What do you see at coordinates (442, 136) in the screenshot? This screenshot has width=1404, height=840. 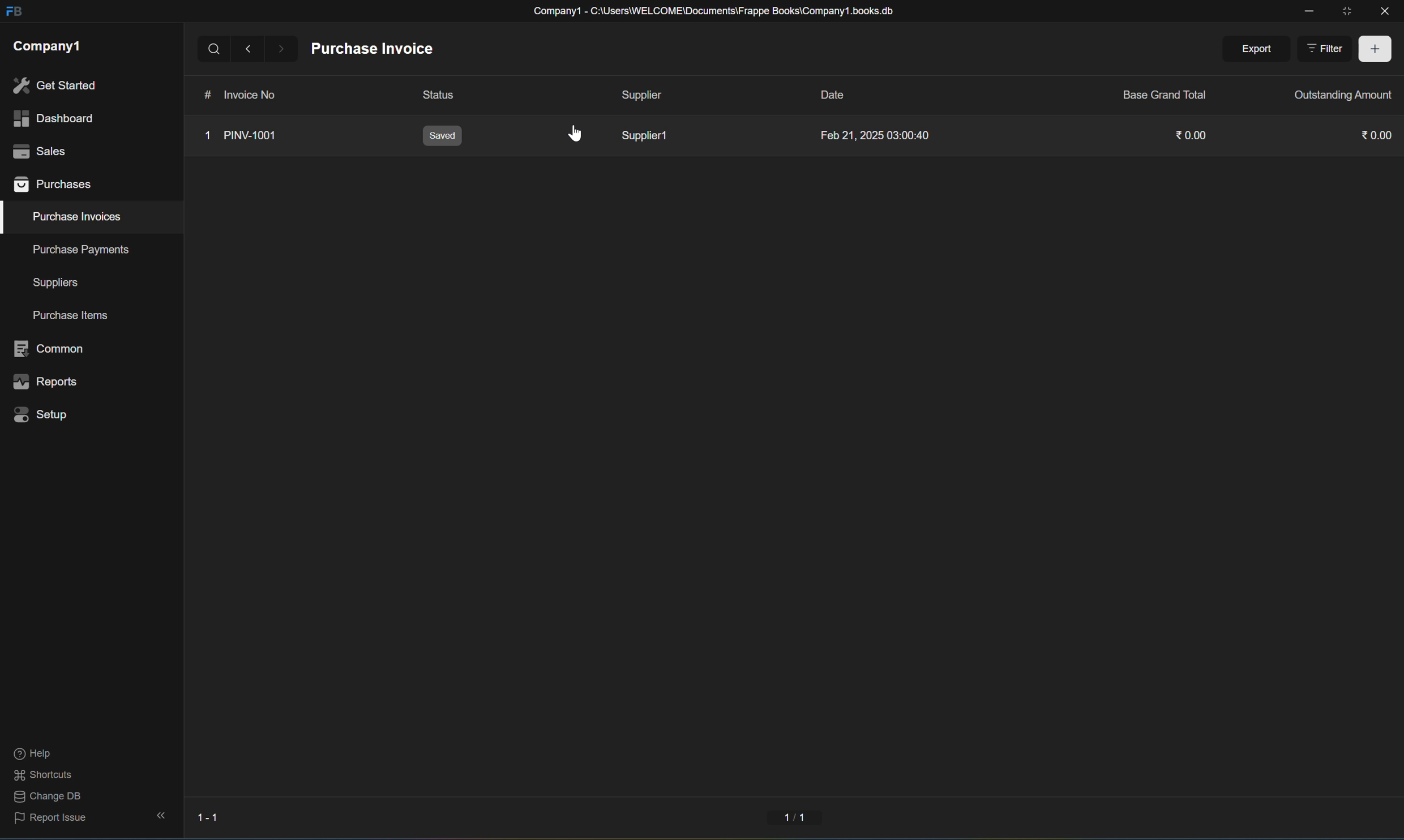 I see `saved` at bounding box center [442, 136].